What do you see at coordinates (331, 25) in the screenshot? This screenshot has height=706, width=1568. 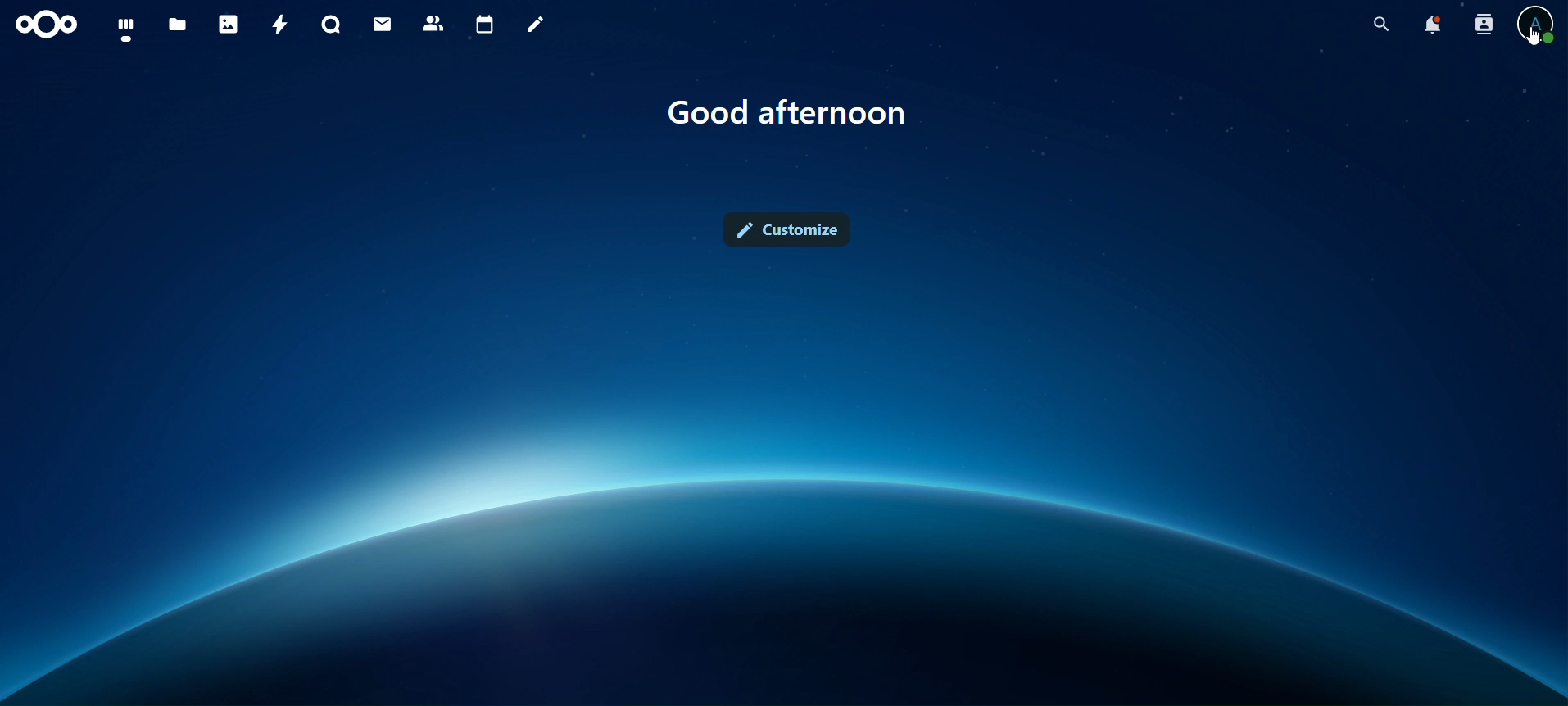 I see `talk` at bounding box center [331, 25].